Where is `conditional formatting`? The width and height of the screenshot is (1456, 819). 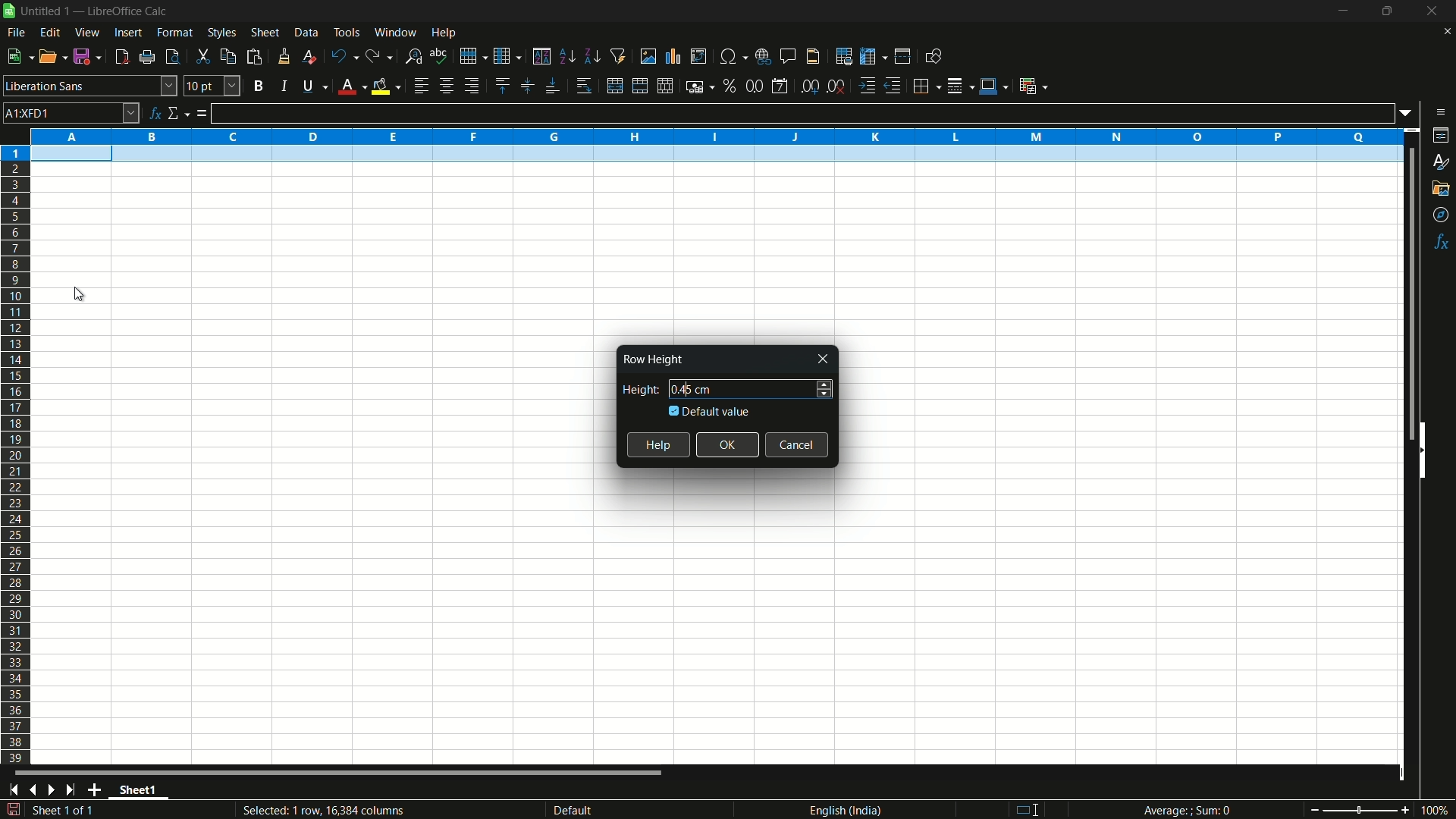 conditional formatting is located at coordinates (1032, 86).